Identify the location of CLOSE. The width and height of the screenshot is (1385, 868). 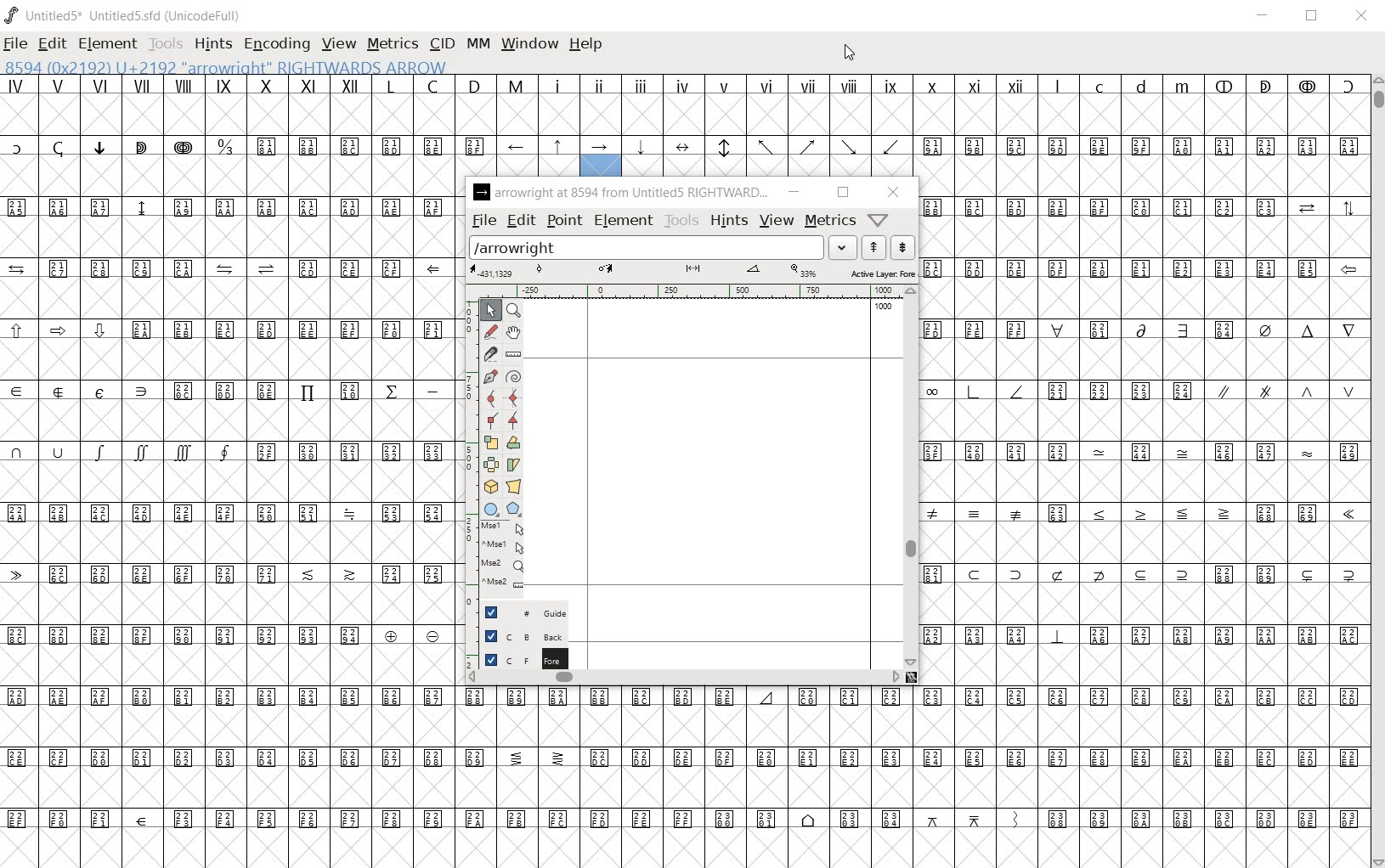
(1361, 18).